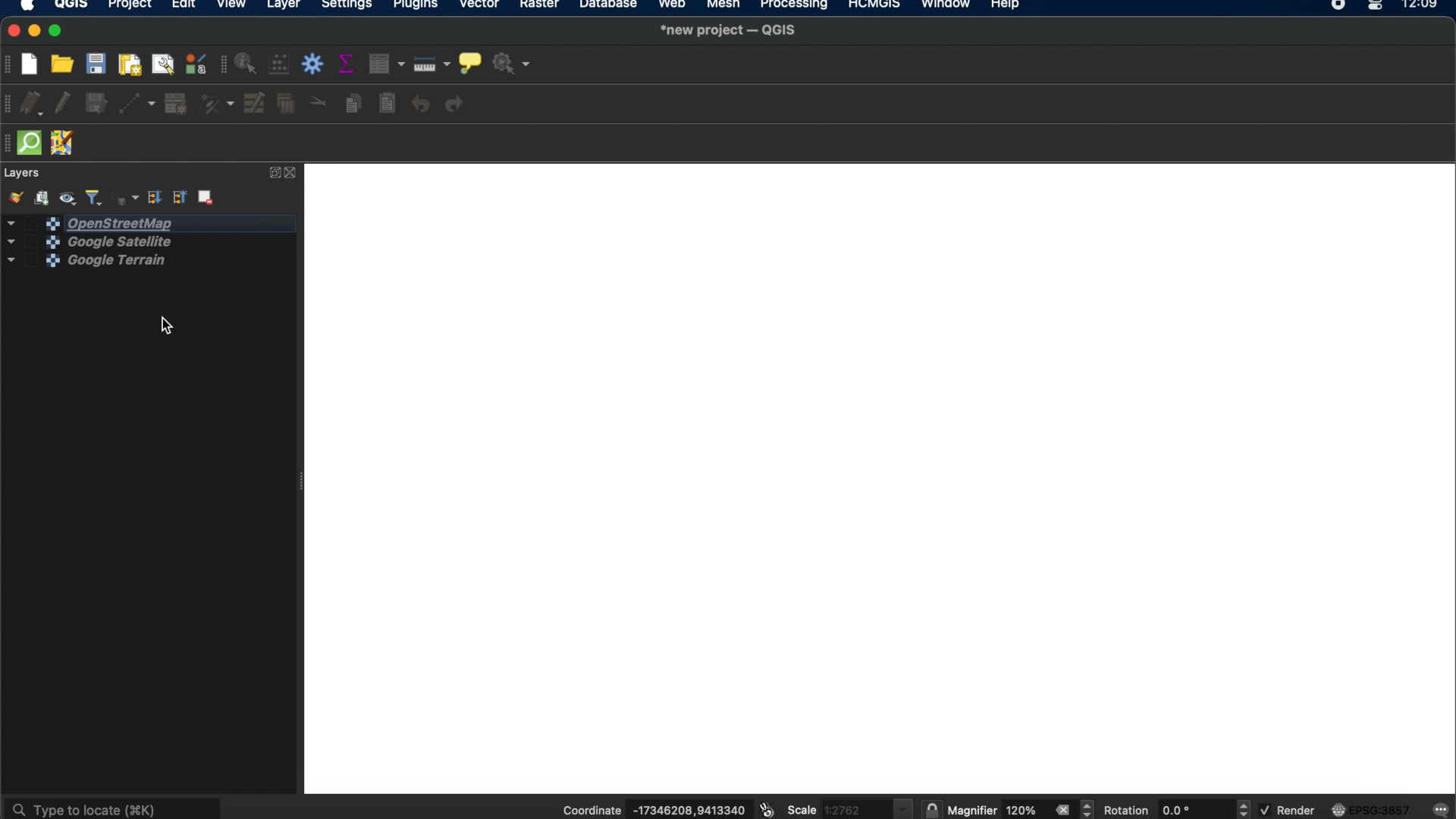  Describe the element at coordinates (96, 241) in the screenshot. I see `google satellite` at that location.